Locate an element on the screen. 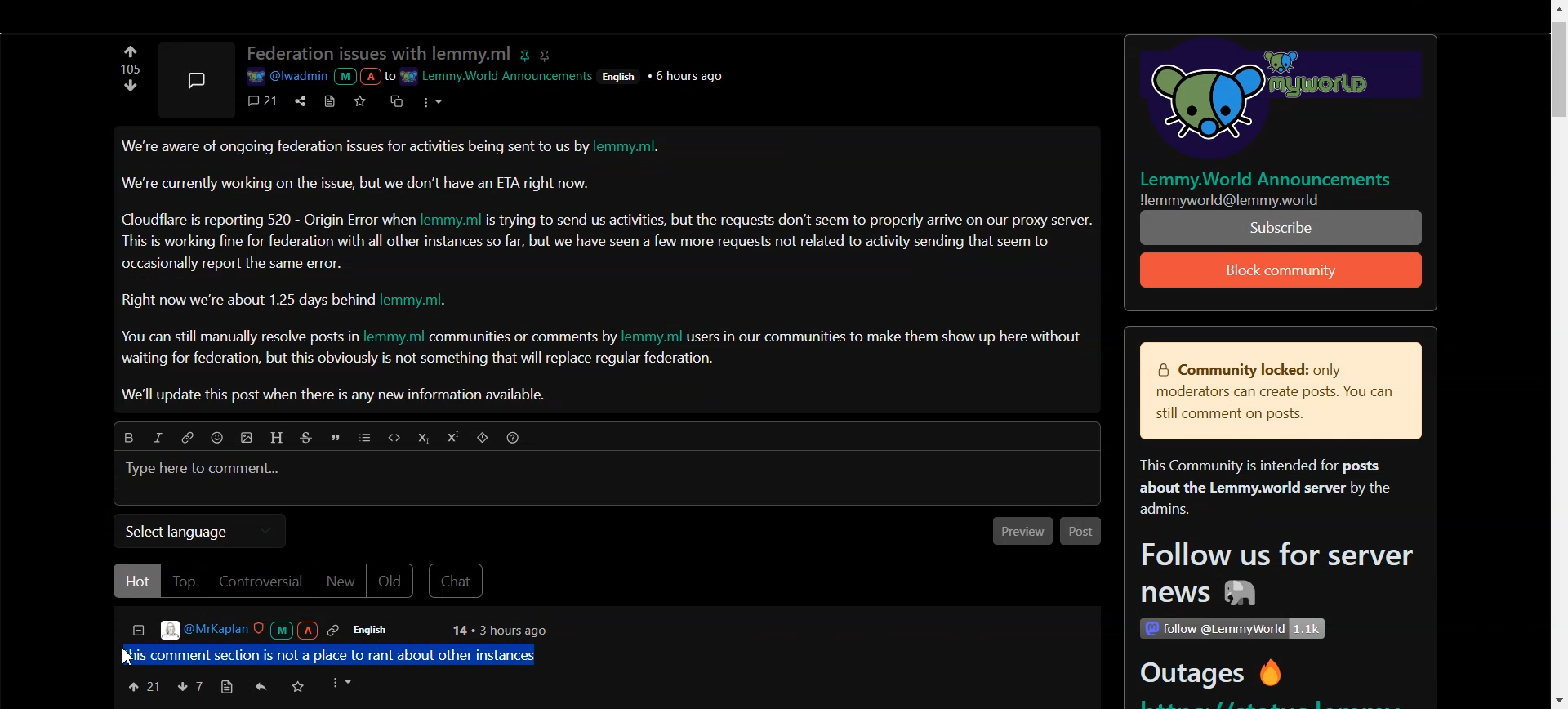  Follow us for server
news #8 is located at coordinates (1272, 577).